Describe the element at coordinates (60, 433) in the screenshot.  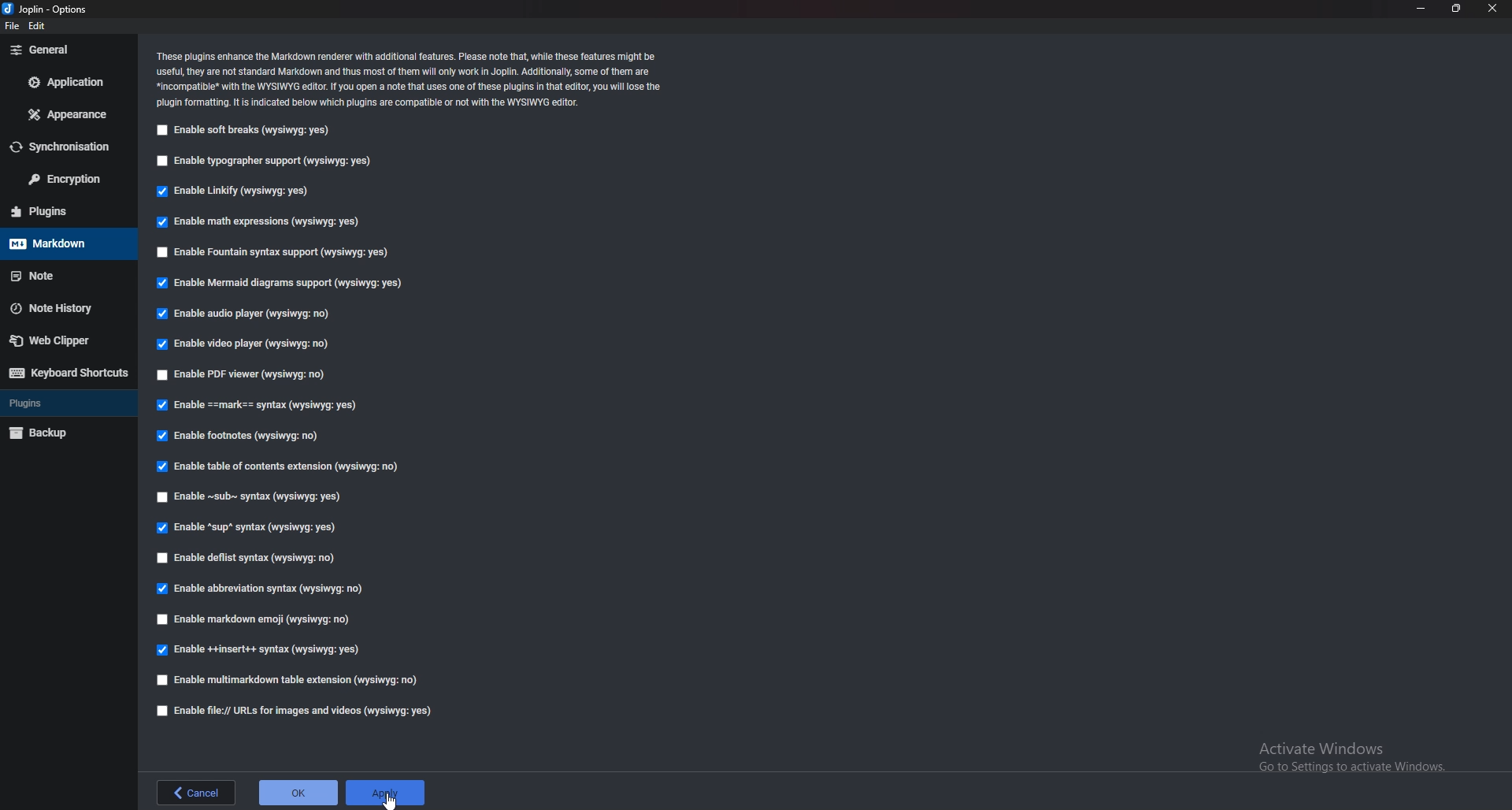
I see `Backup` at that location.